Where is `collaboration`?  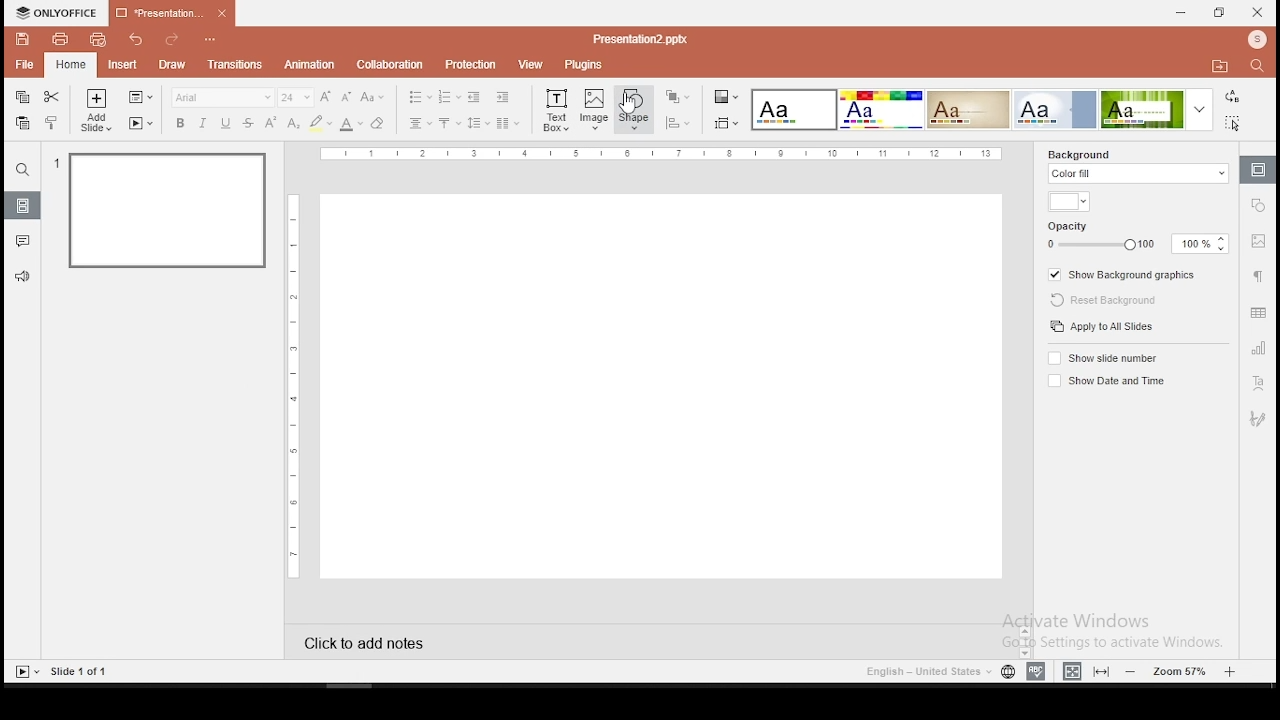 collaboration is located at coordinates (389, 64).